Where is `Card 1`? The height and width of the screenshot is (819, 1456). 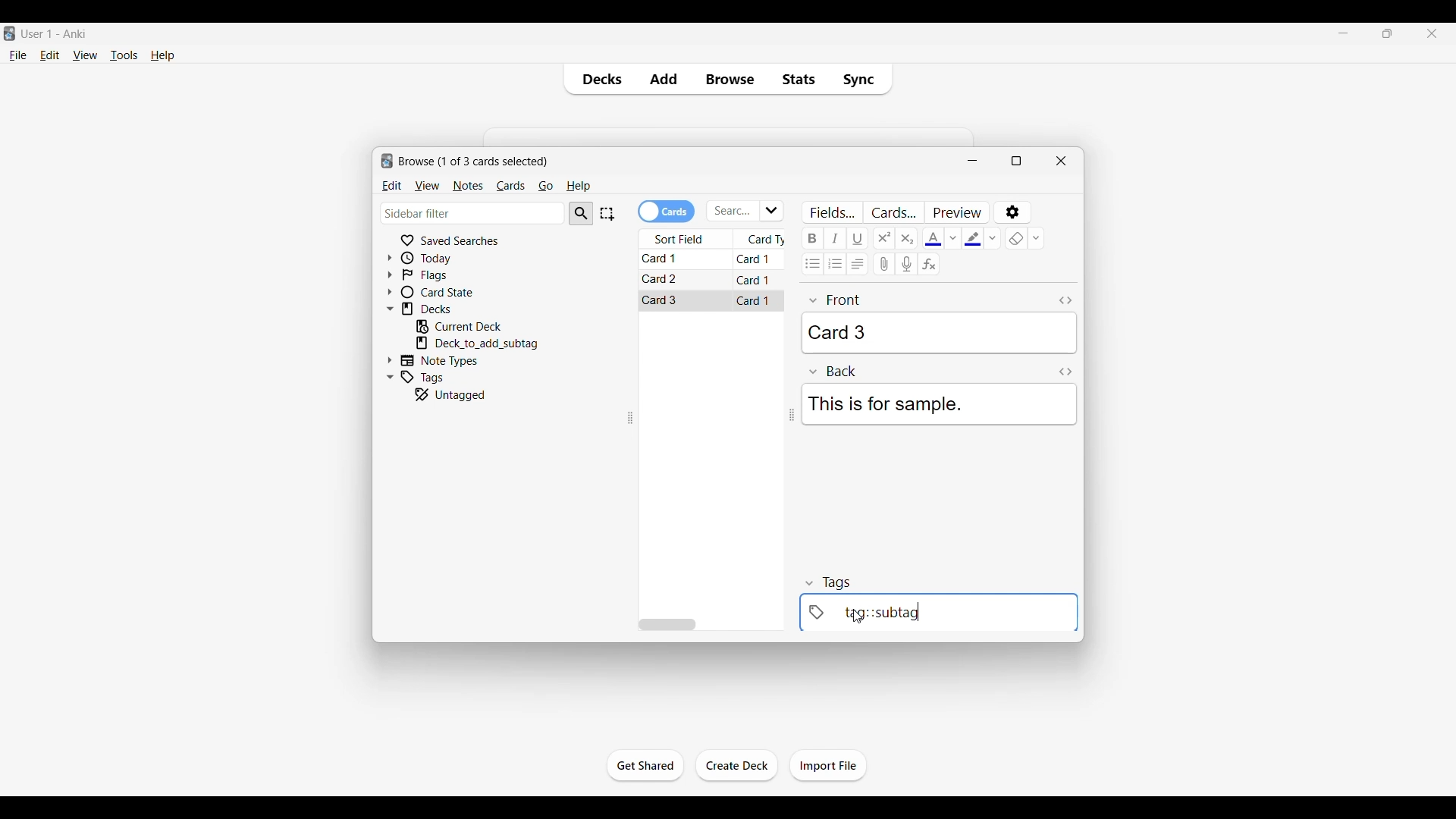
Card 1 is located at coordinates (754, 300).